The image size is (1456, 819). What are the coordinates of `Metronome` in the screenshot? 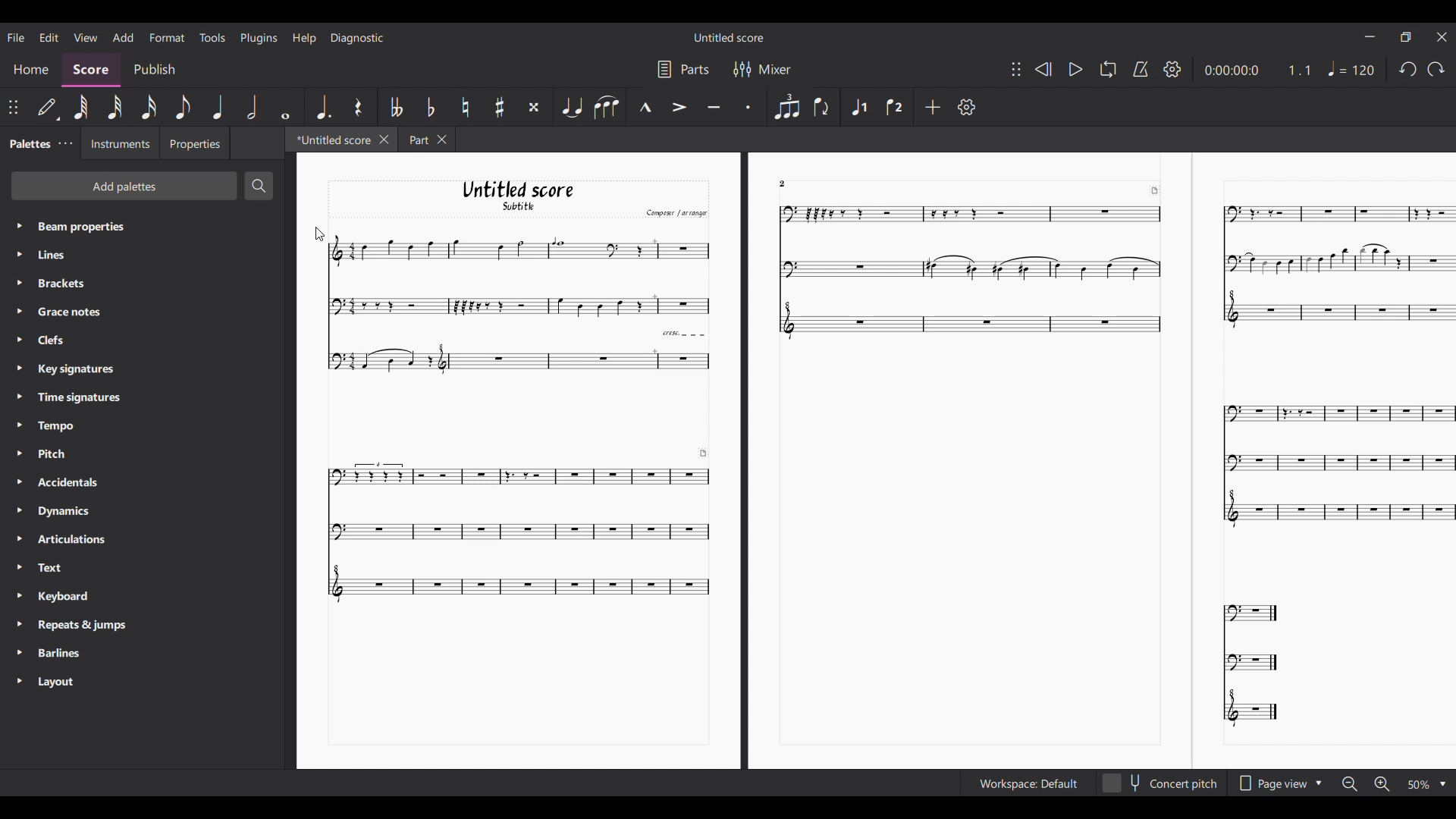 It's located at (1141, 69).